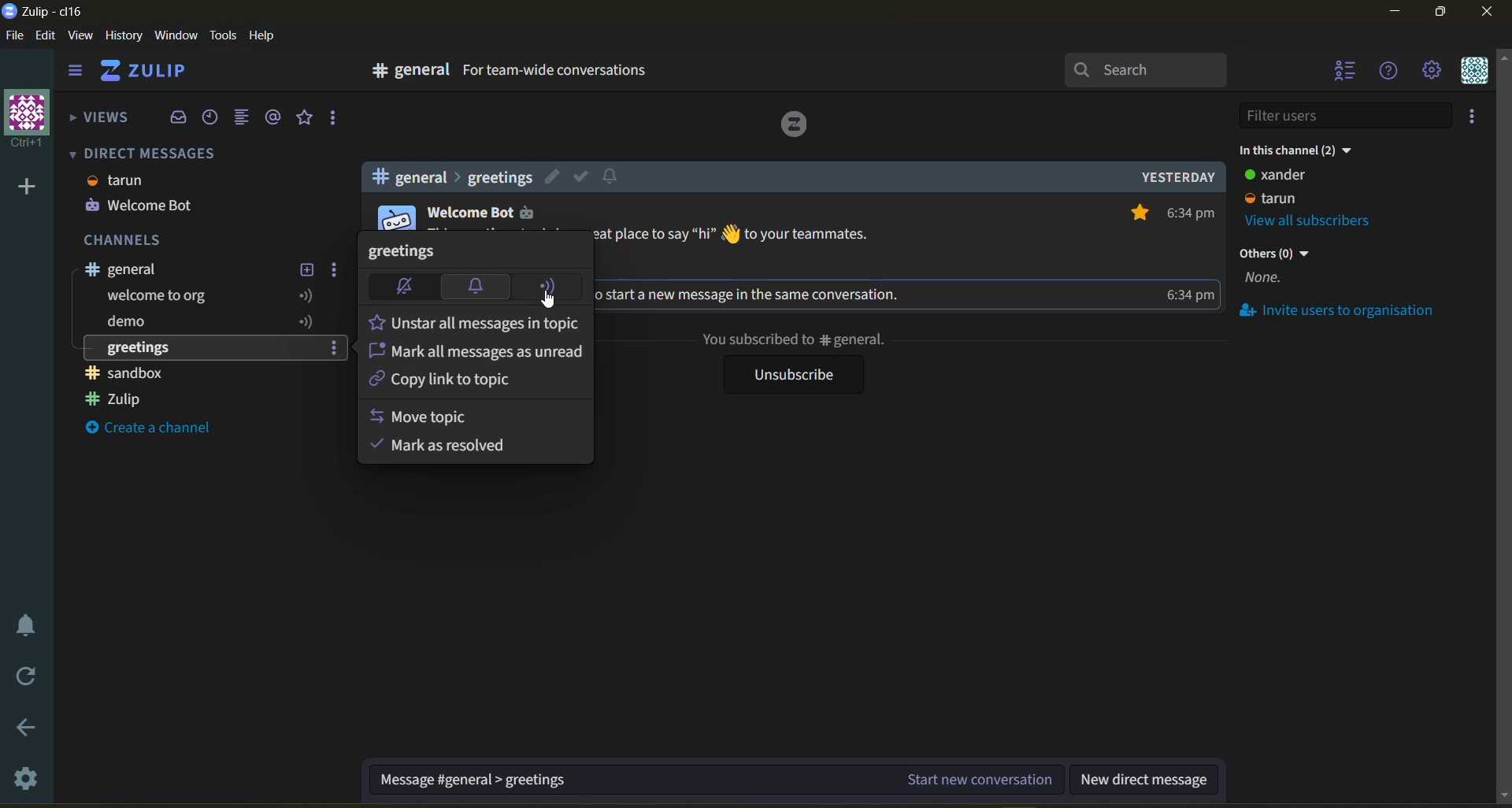  What do you see at coordinates (476, 324) in the screenshot?
I see `unstar all messages` at bounding box center [476, 324].